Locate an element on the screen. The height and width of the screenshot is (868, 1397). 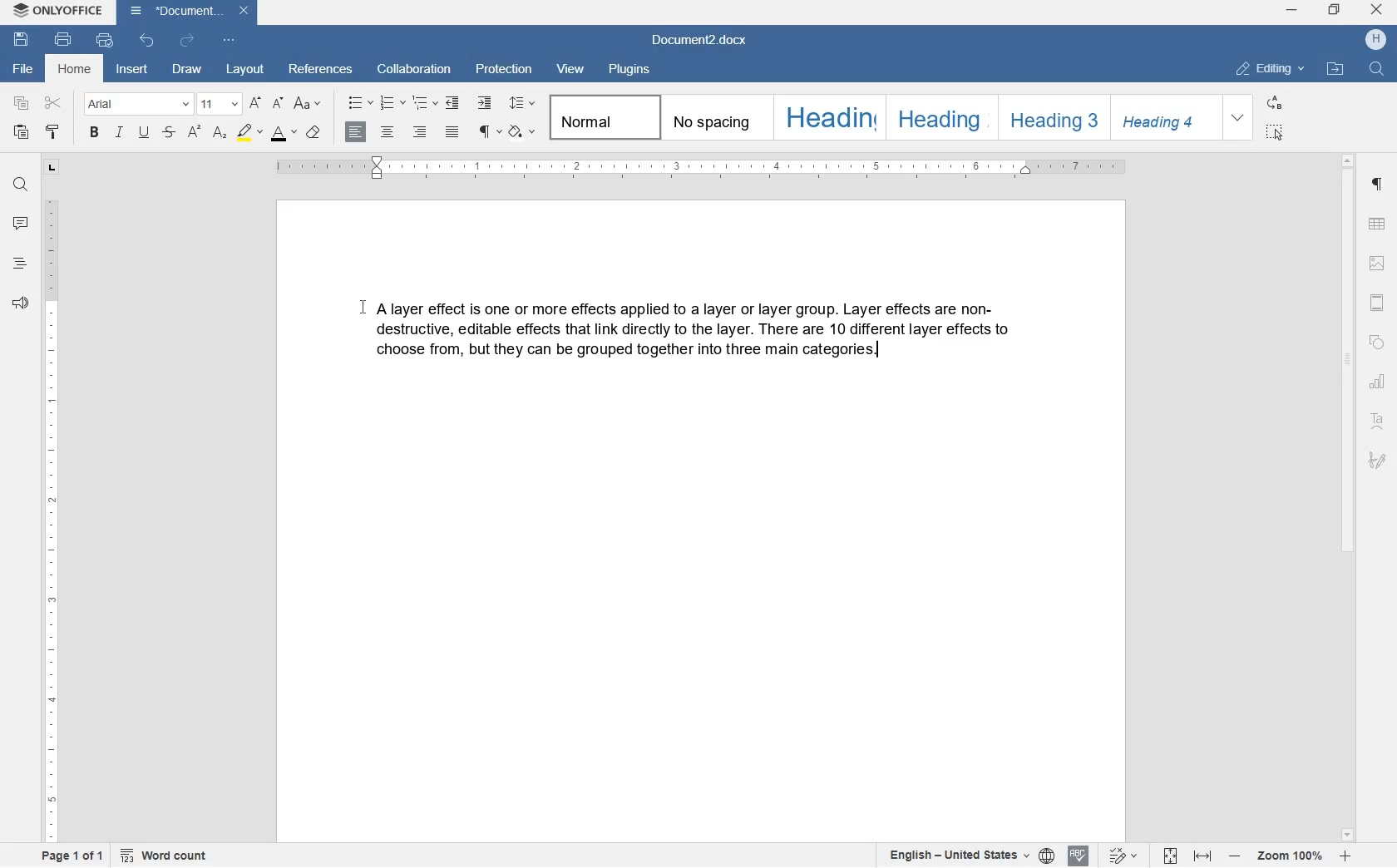
normal is located at coordinates (601, 117).